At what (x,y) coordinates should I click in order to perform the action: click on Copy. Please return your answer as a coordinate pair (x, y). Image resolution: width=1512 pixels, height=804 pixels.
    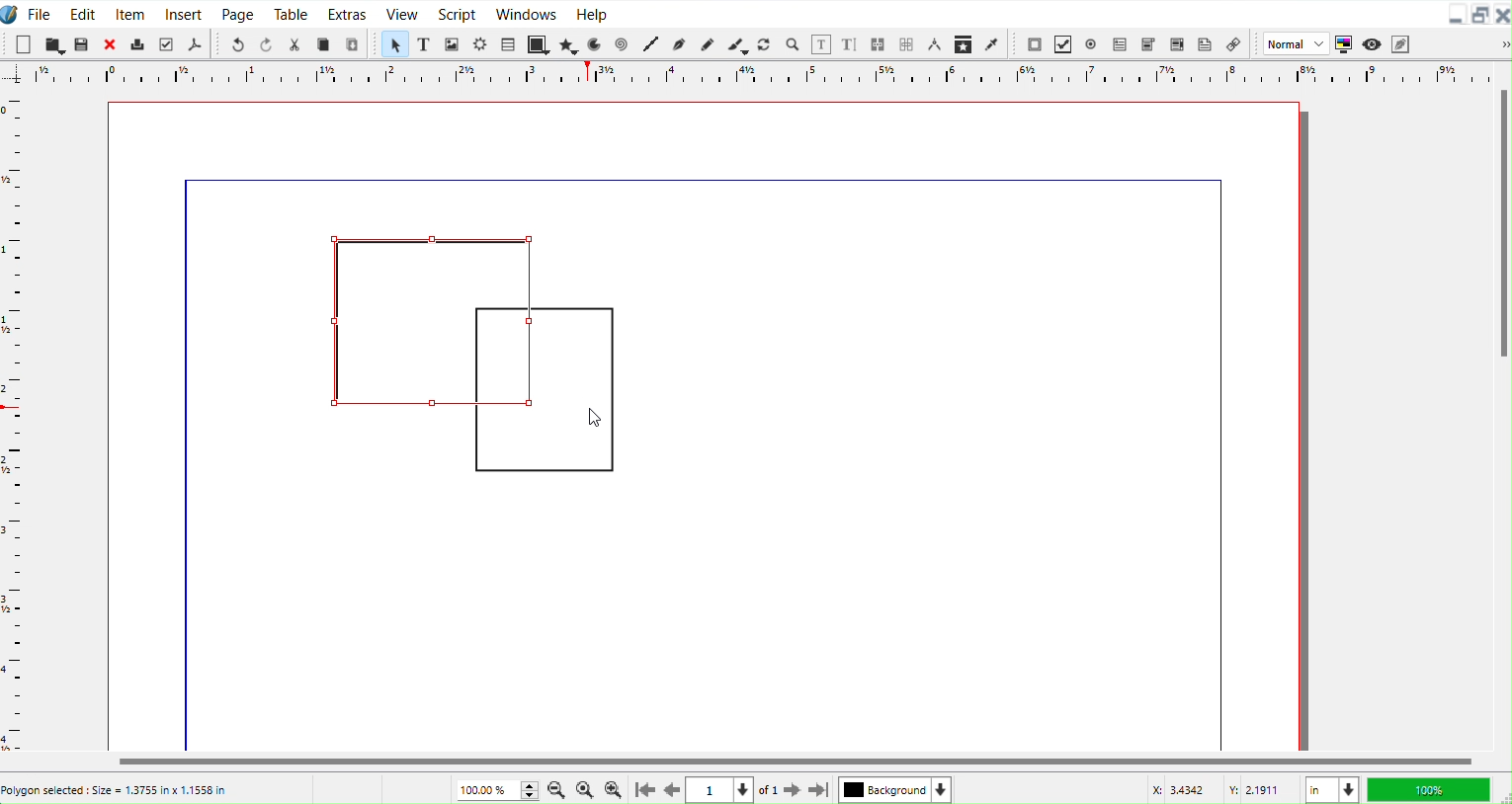
    Looking at the image, I should click on (325, 43).